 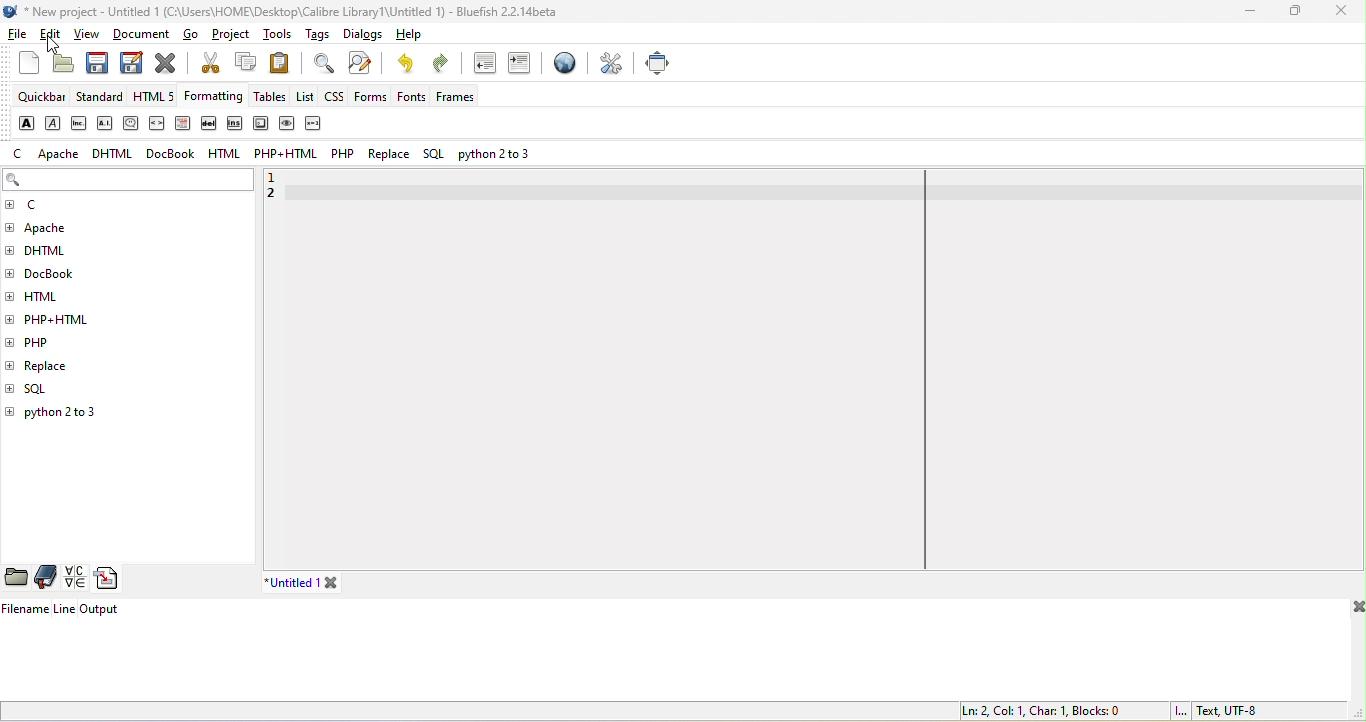 I want to click on new, so click(x=20, y=69).